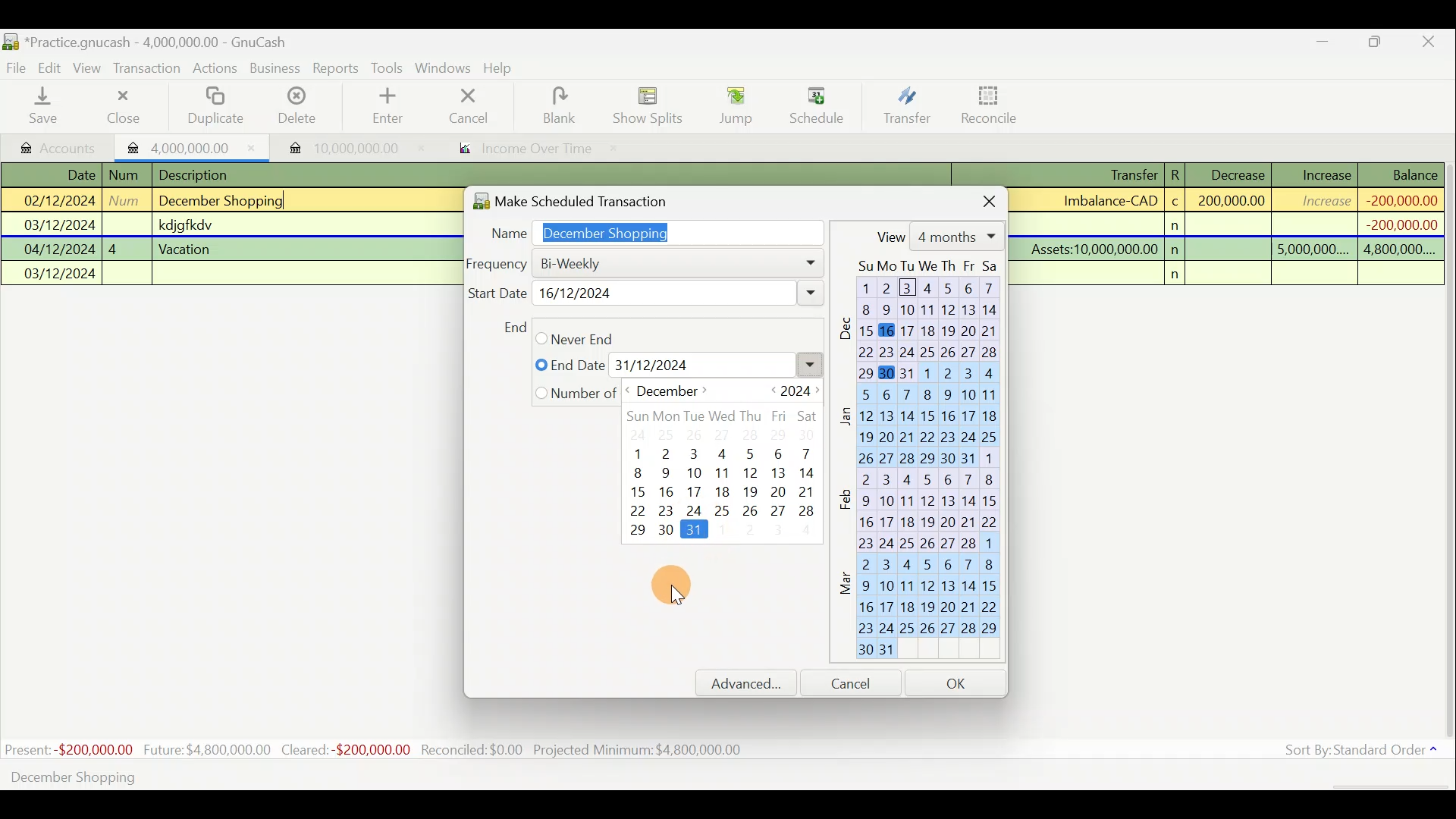 The image size is (1456, 819). Describe the element at coordinates (276, 69) in the screenshot. I see `Business` at that location.